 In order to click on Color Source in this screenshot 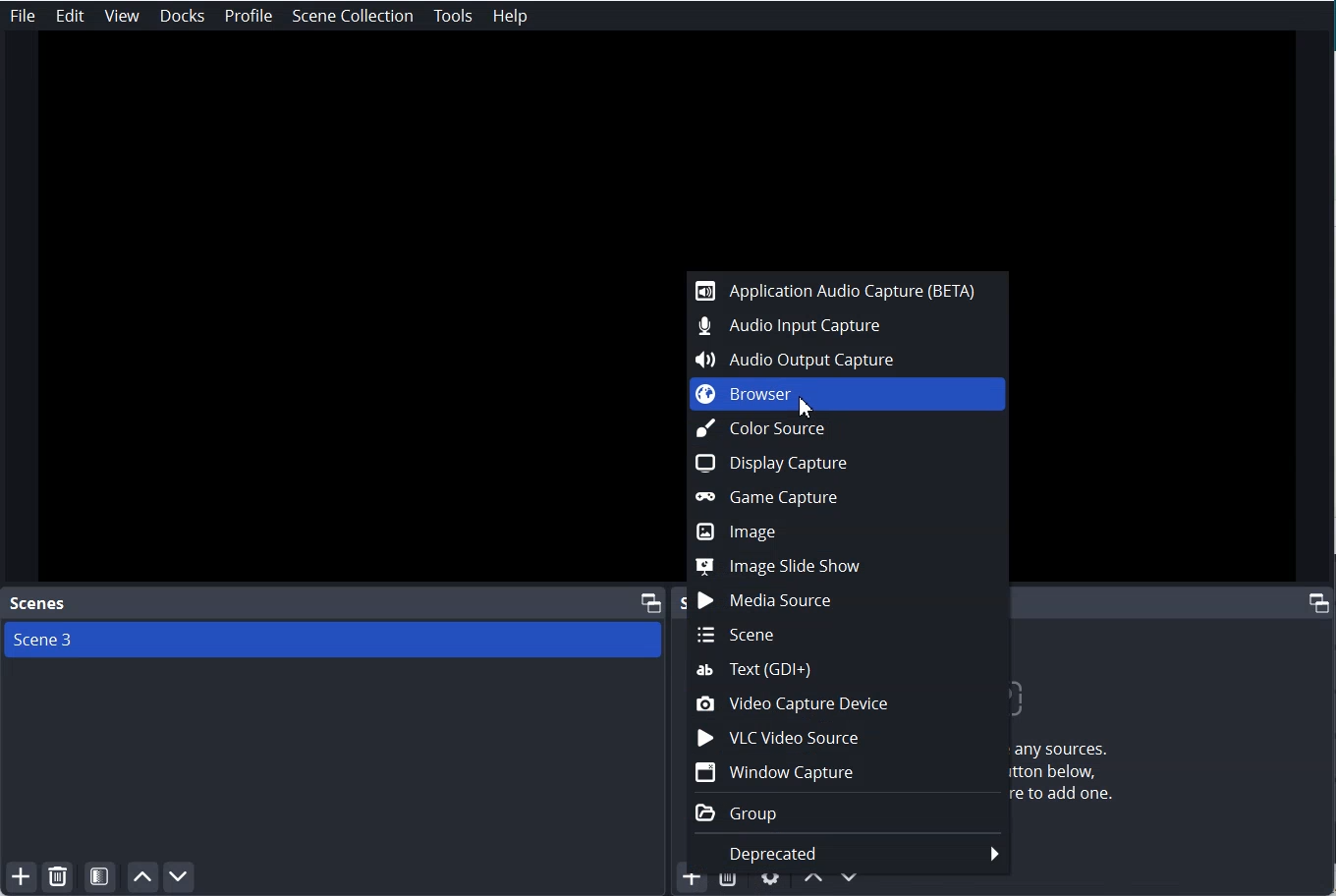, I will do `click(848, 429)`.